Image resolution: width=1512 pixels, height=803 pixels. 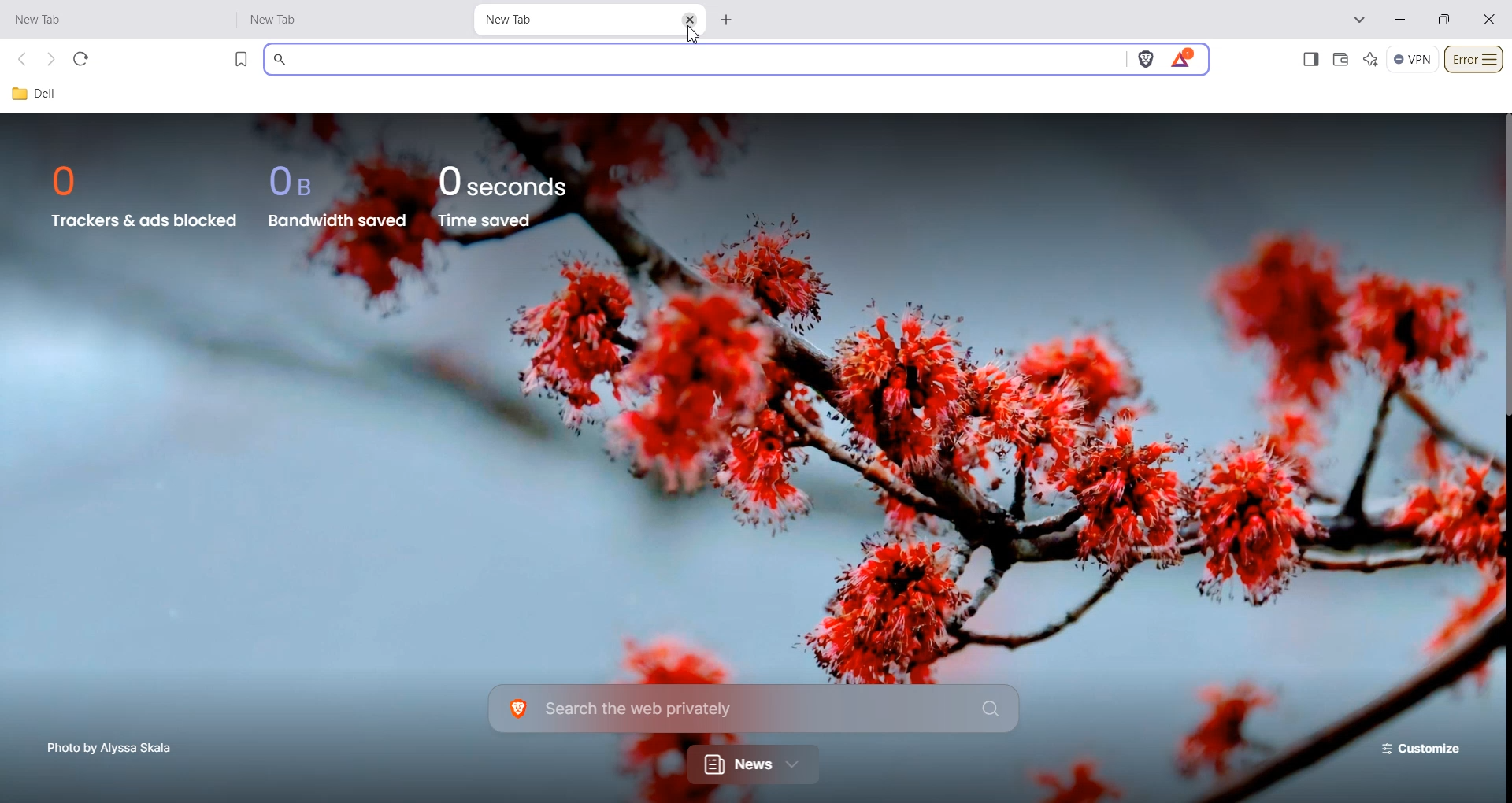 What do you see at coordinates (1503, 265) in the screenshot?
I see `Vertical Scrollbar ` at bounding box center [1503, 265].